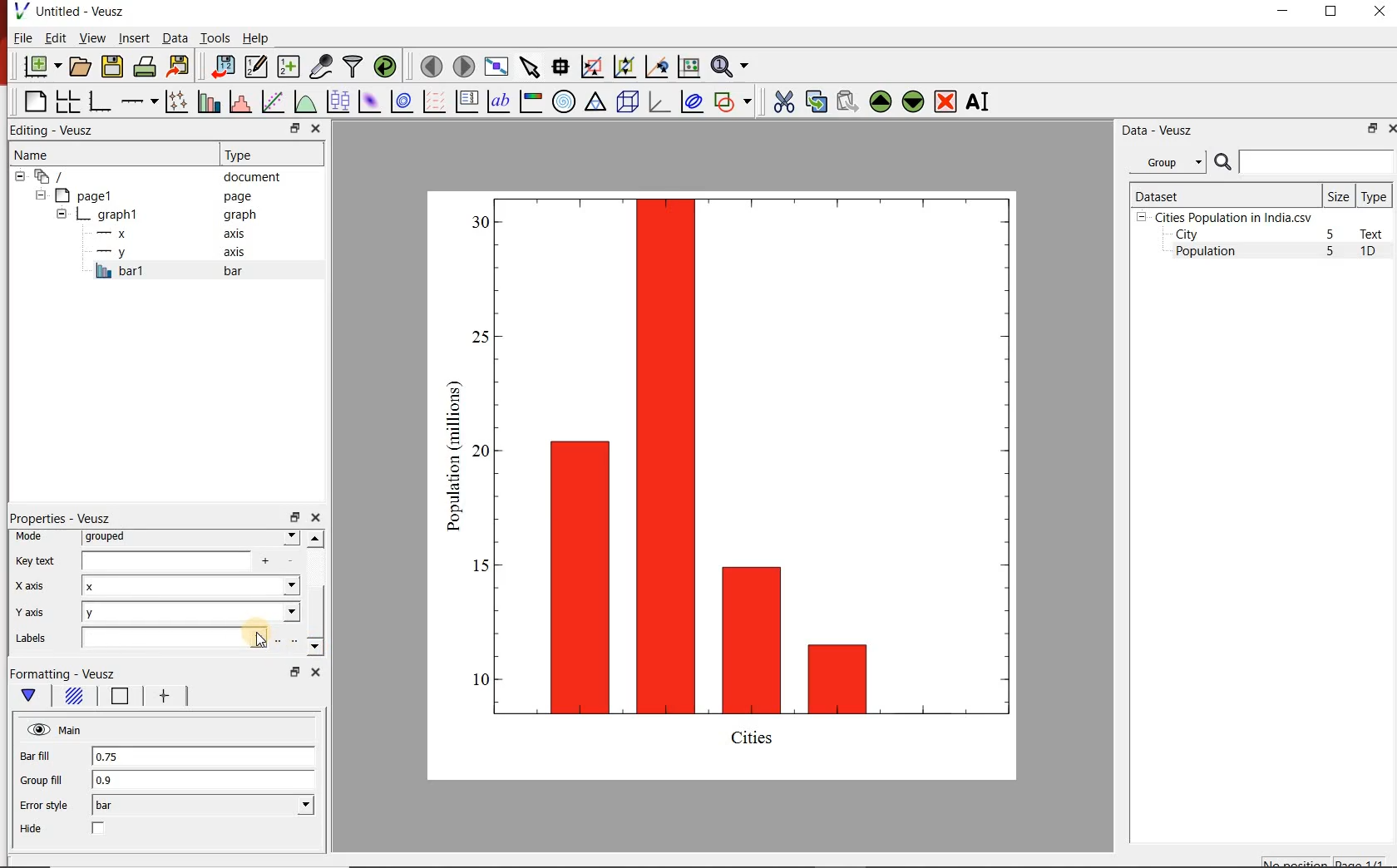 The height and width of the screenshot is (868, 1397). Describe the element at coordinates (112, 65) in the screenshot. I see `save the document` at that location.